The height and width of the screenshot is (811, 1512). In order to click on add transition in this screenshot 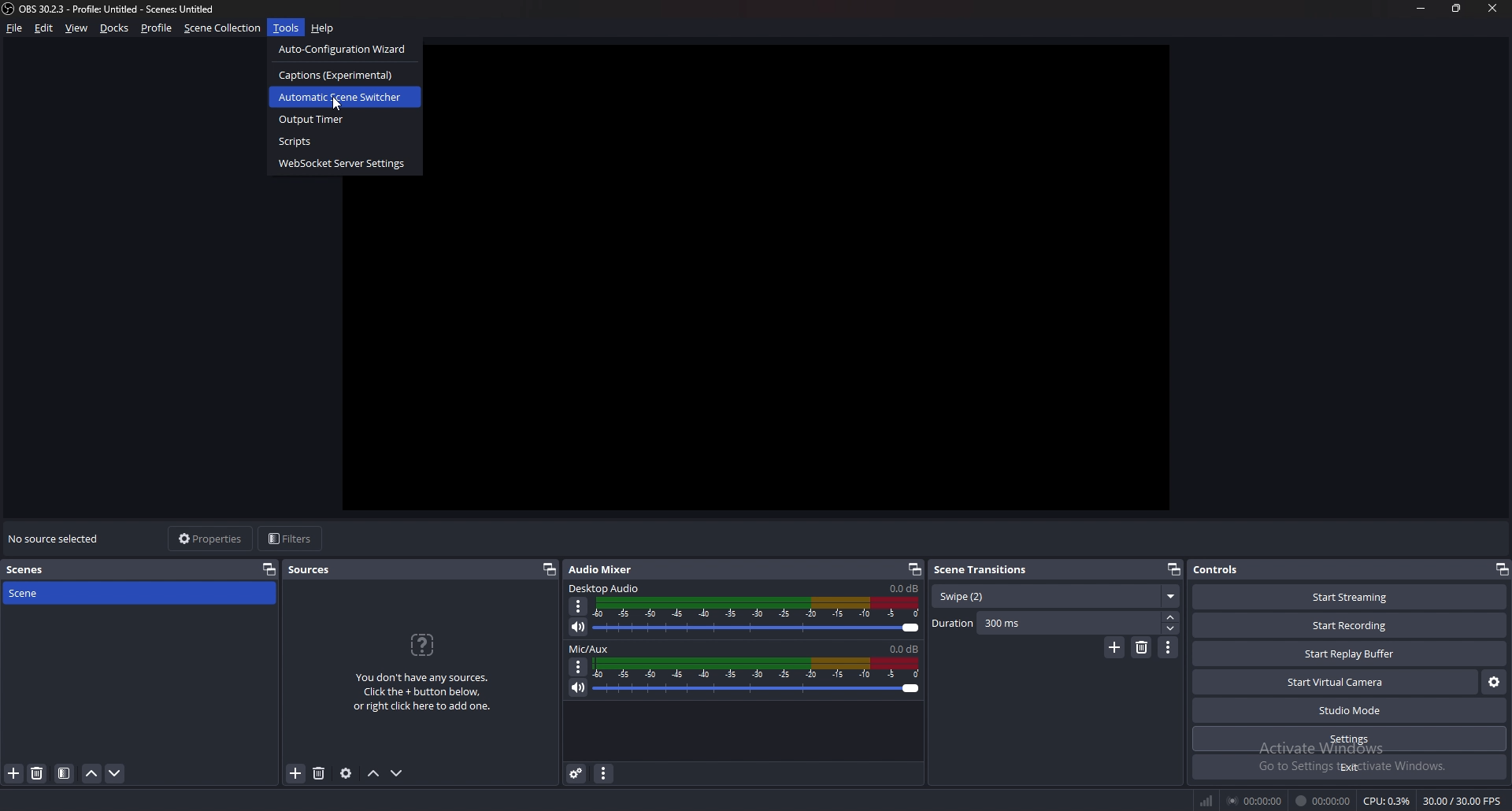, I will do `click(1114, 647)`.